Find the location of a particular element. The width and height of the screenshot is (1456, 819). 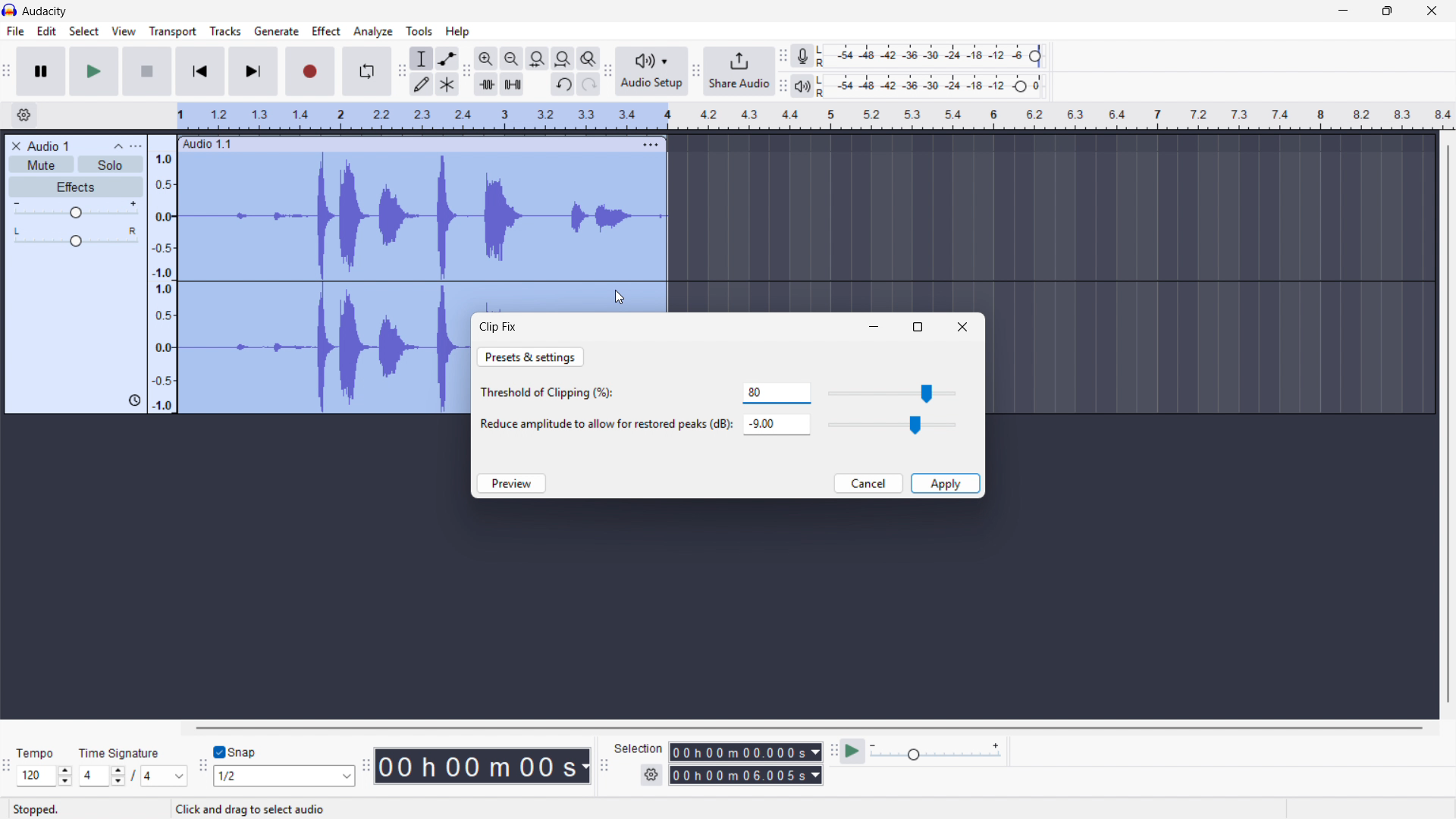

Recording metre is located at coordinates (802, 56).